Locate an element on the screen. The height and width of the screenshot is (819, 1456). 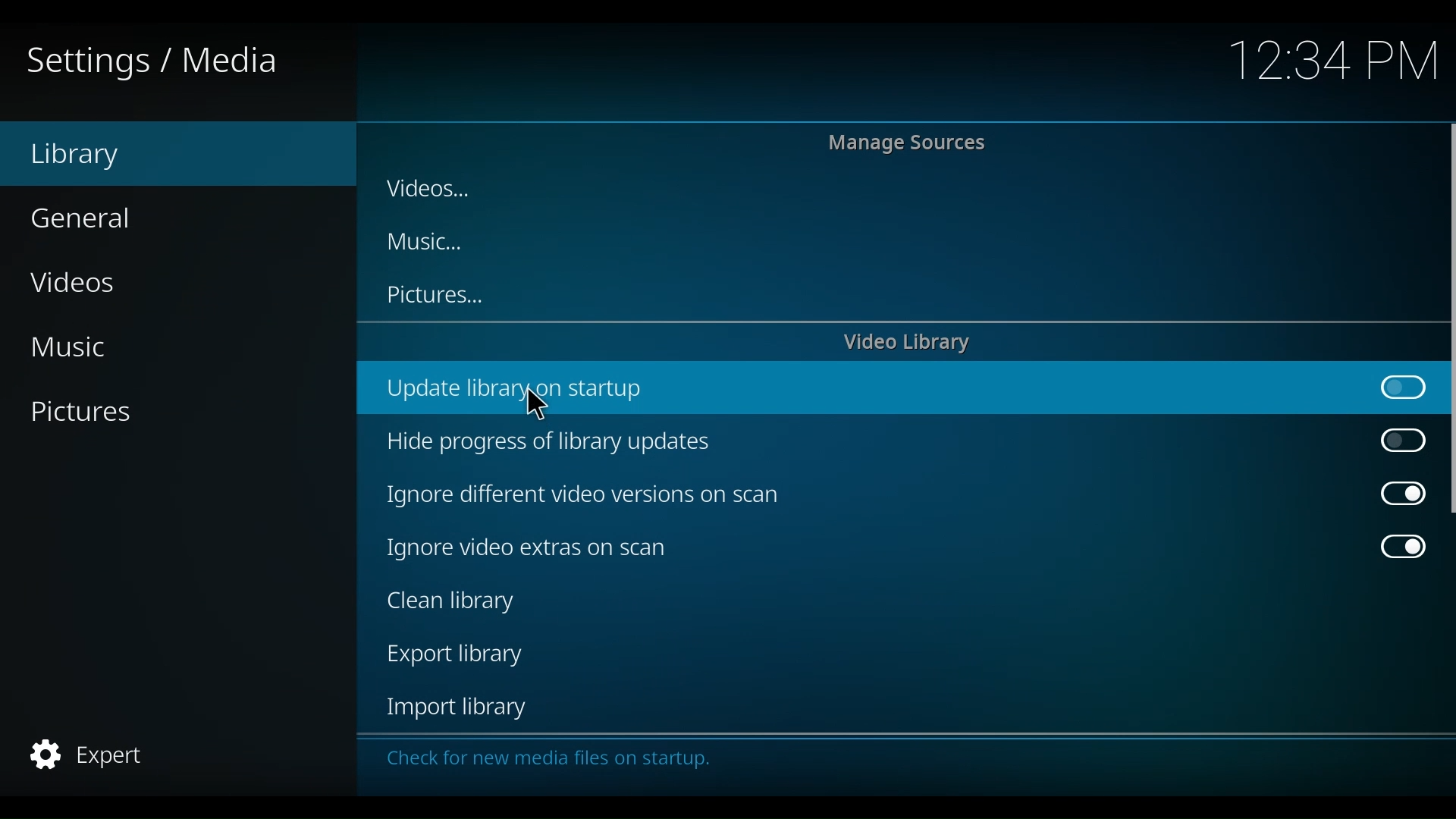
Toggle on/off Hide progress of library updateside is located at coordinates (1401, 442).